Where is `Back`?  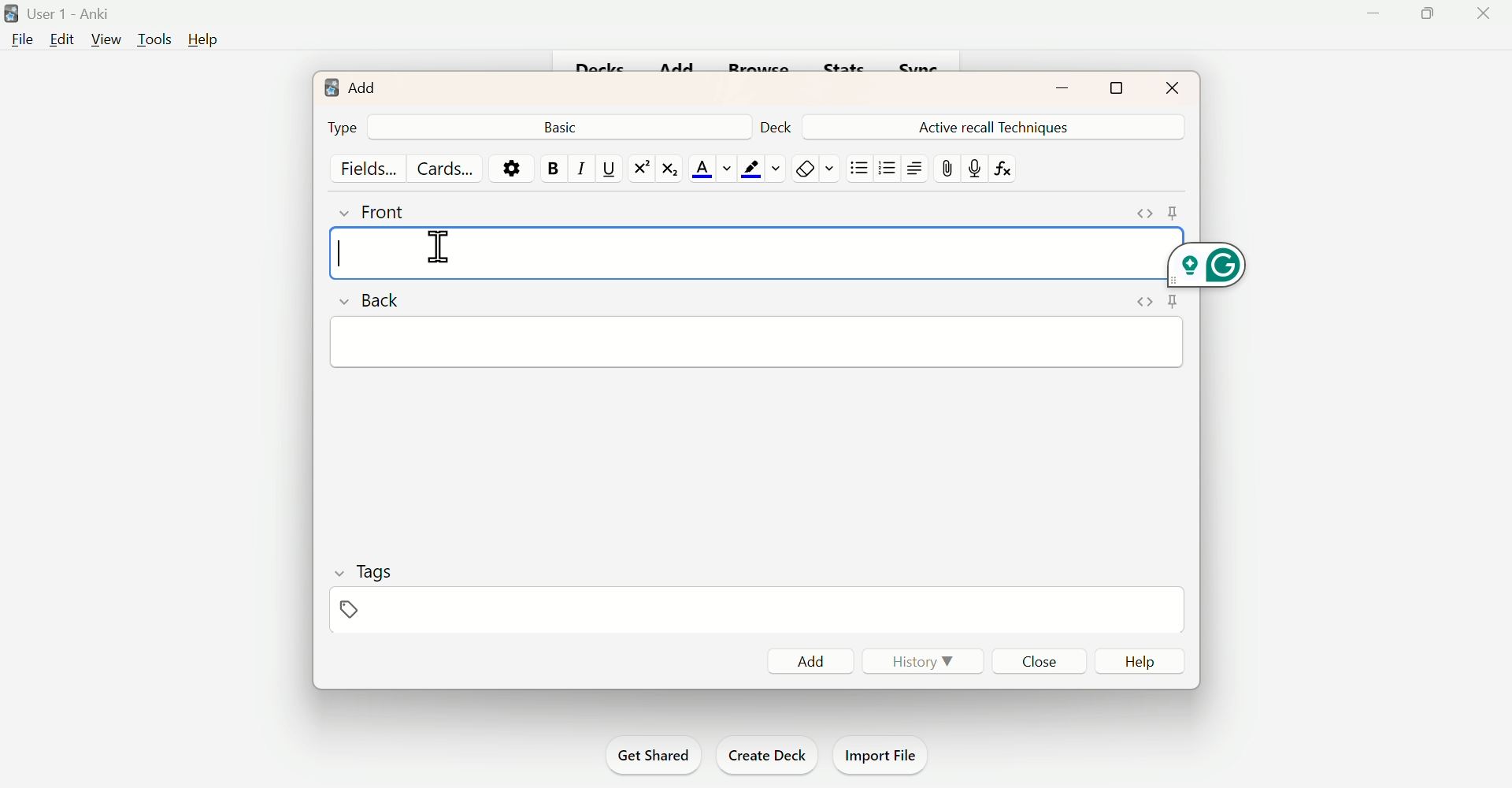
Back is located at coordinates (562, 125).